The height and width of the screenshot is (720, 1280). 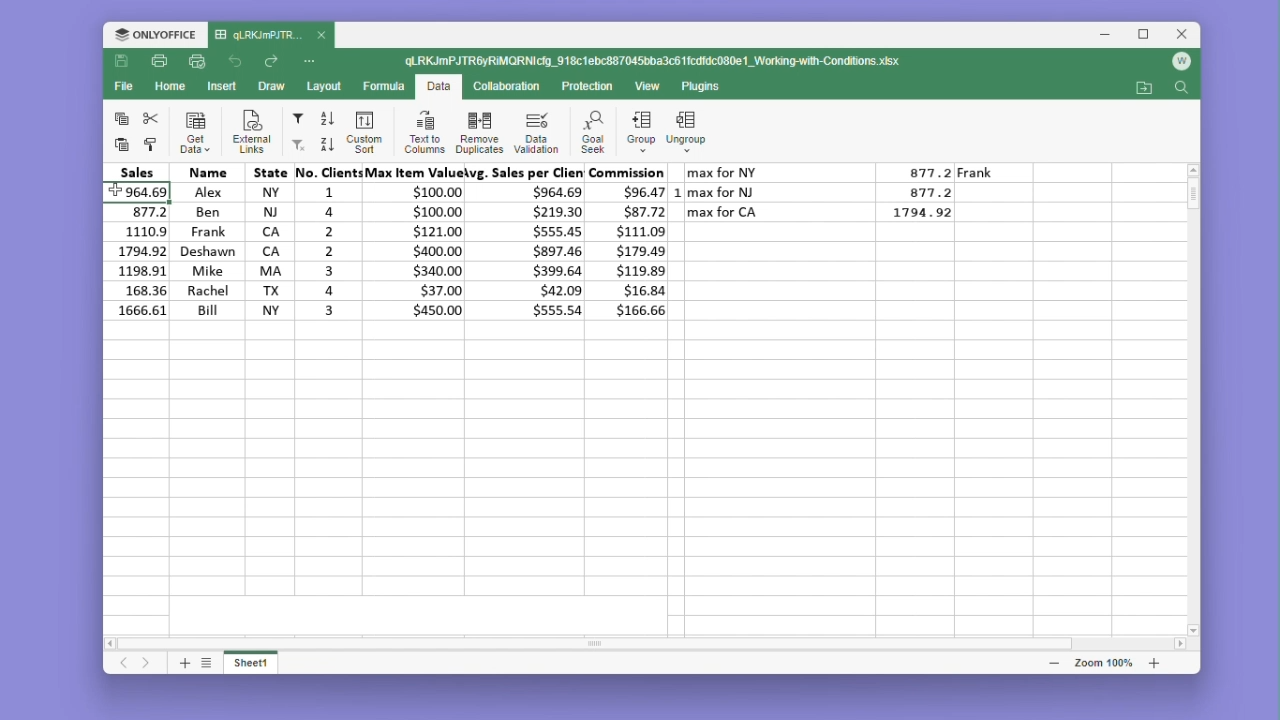 What do you see at coordinates (1146, 88) in the screenshot?
I see `Go to file location` at bounding box center [1146, 88].